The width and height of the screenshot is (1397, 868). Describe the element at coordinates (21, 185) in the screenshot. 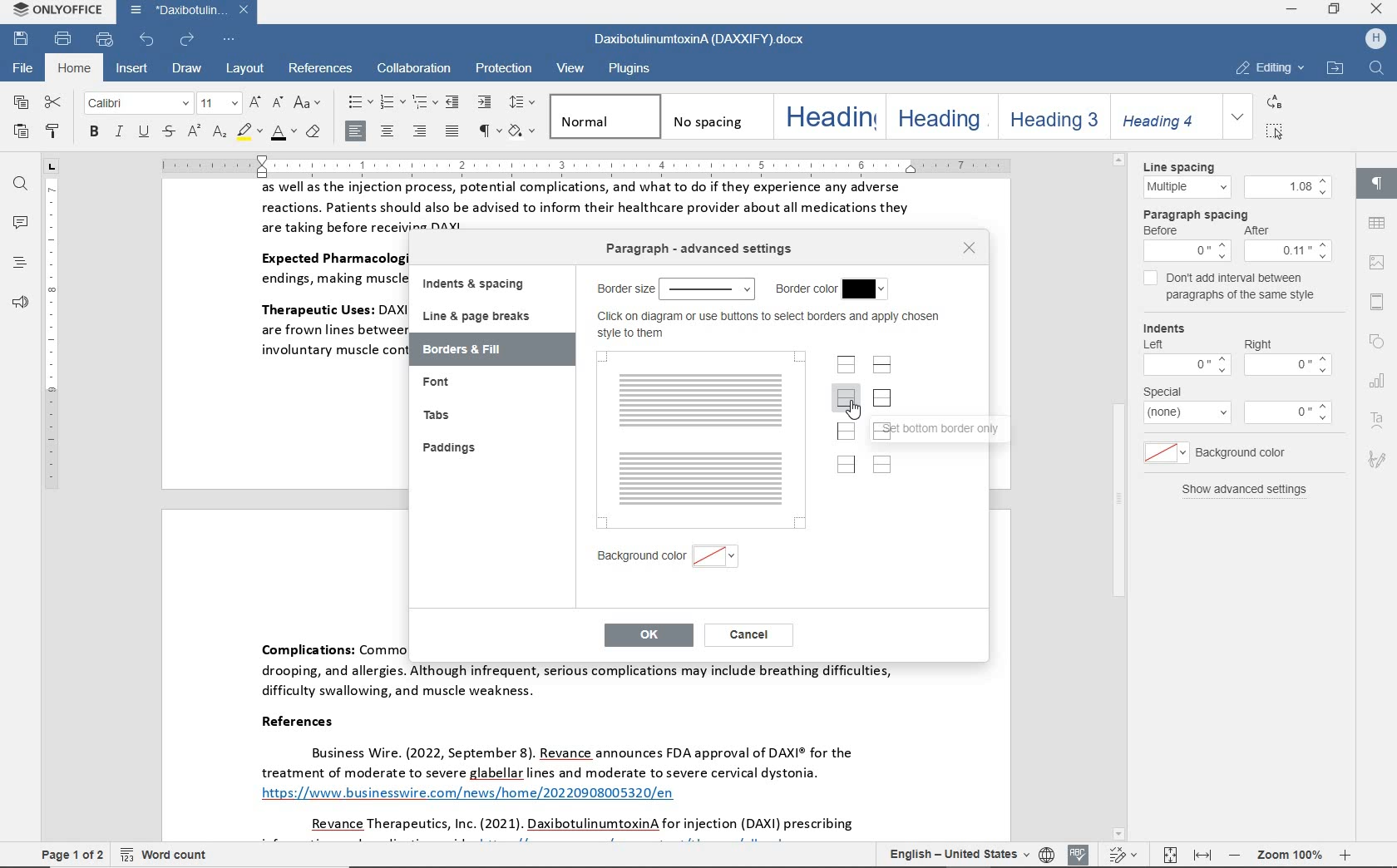

I see `find` at that location.